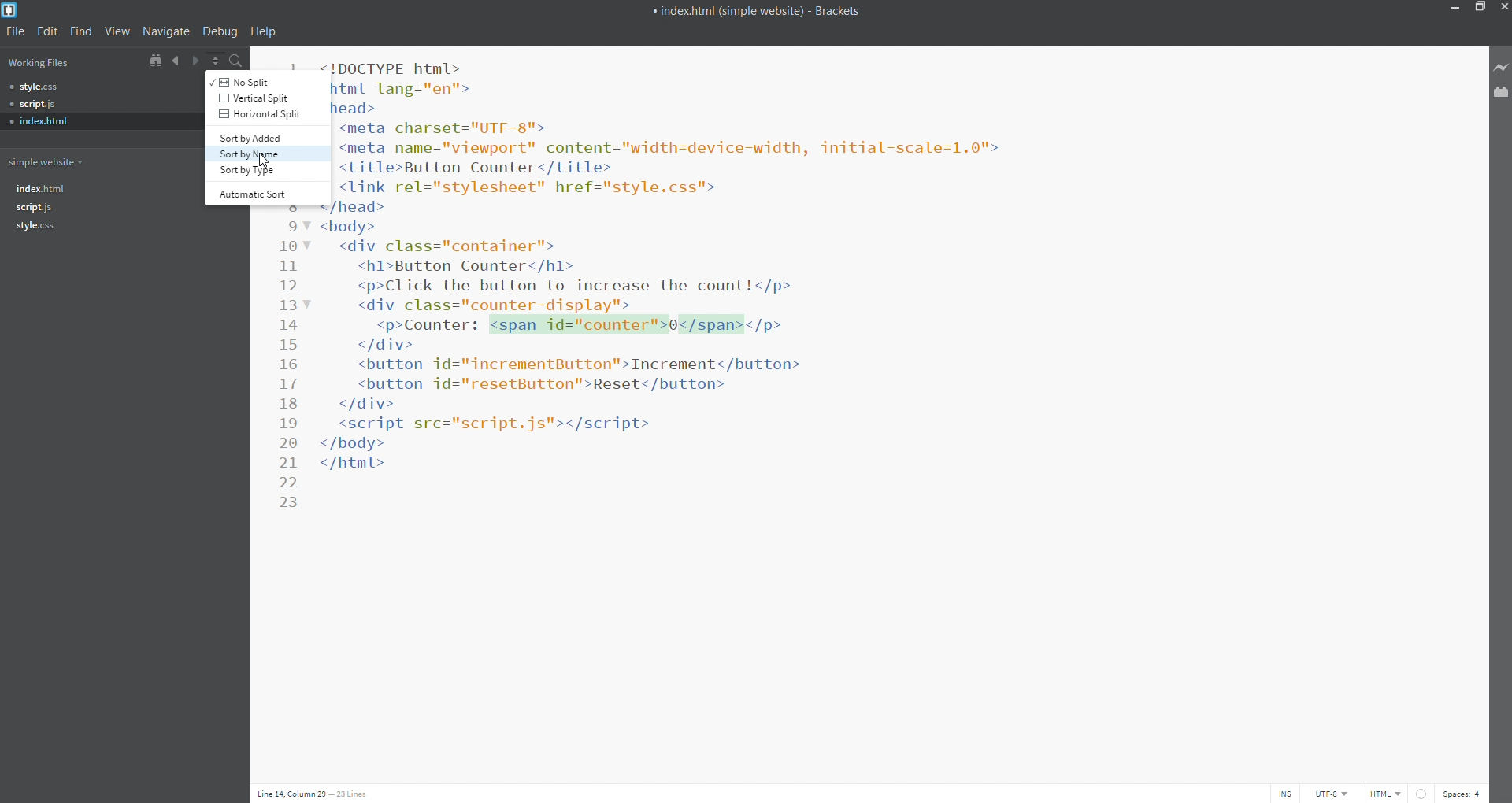 The height and width of the screenshot is (803, 1512). Describe the element at coordinates (1424, 794) in the screenshot. I see `error` at that location.